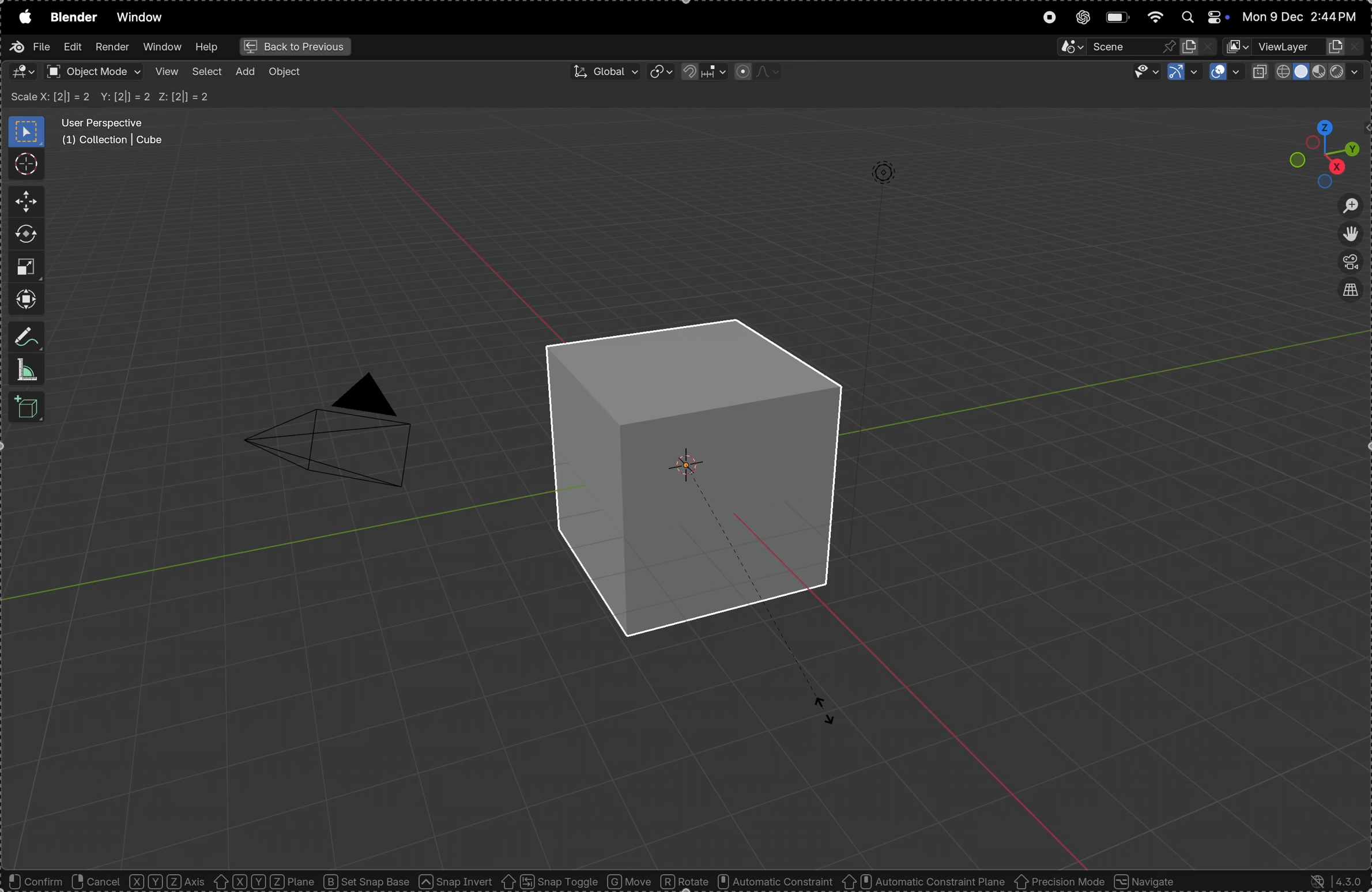 The width and height of the screenshot is (1372, 892). What do you see at coordinates (836, 719) in the screenshot?
I see `CURSOR` at bounding box center [836, 719].